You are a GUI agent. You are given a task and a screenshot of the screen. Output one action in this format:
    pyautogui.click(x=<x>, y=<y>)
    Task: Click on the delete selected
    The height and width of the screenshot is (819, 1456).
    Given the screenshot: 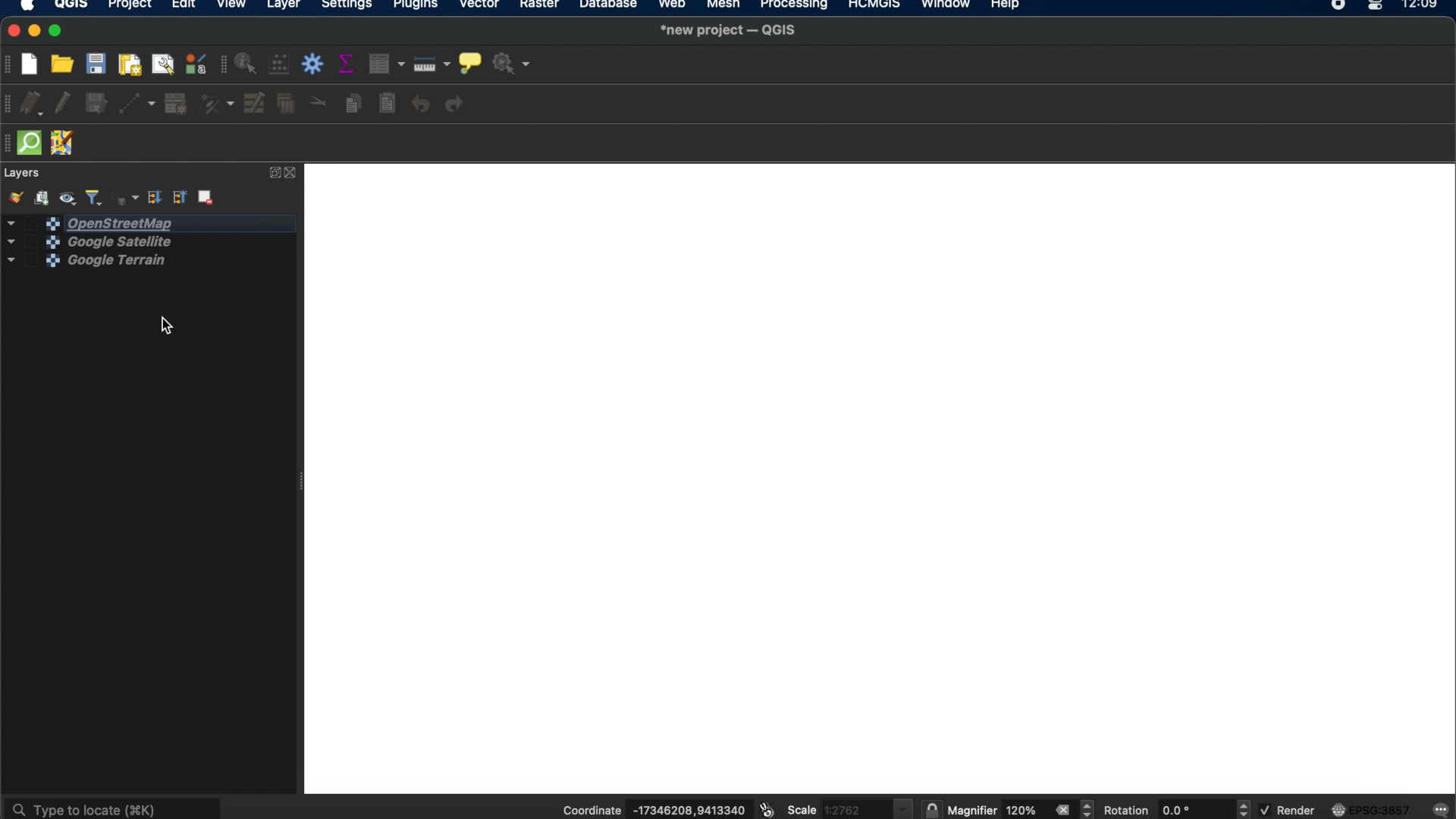 What is the action you would take?
    pyautogui.click(x=286, y=105)
    